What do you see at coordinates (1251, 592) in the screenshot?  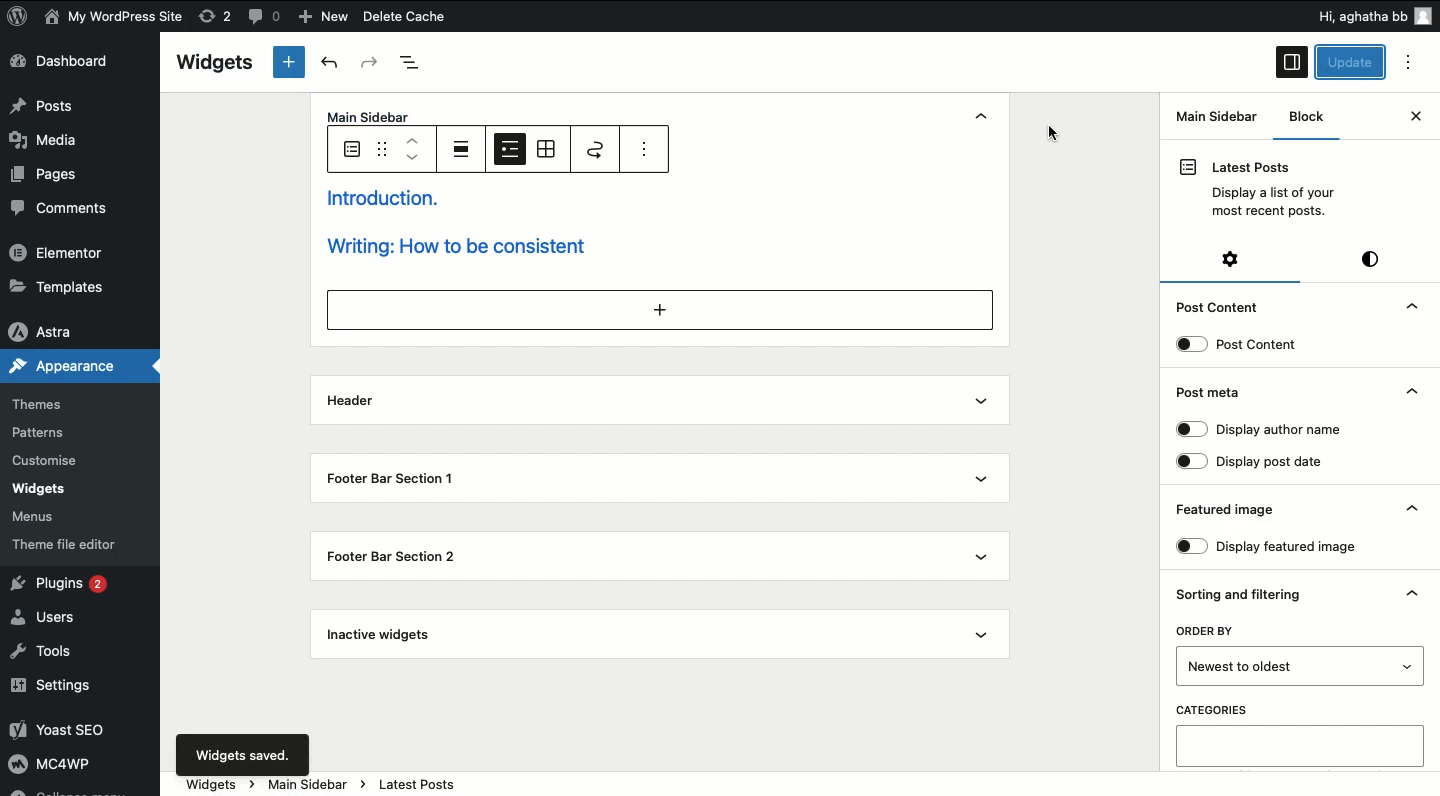 I see `Sorting and filtering` at bounding box center [1251, 592].